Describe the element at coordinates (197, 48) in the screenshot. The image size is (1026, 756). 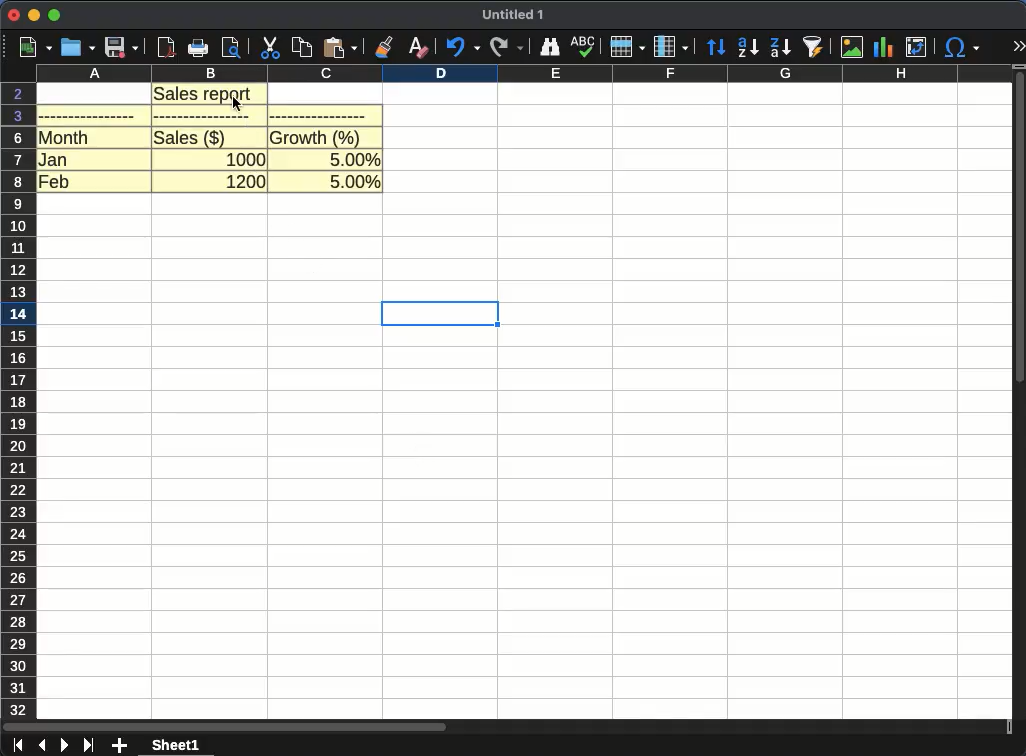
I see `print` at that location.